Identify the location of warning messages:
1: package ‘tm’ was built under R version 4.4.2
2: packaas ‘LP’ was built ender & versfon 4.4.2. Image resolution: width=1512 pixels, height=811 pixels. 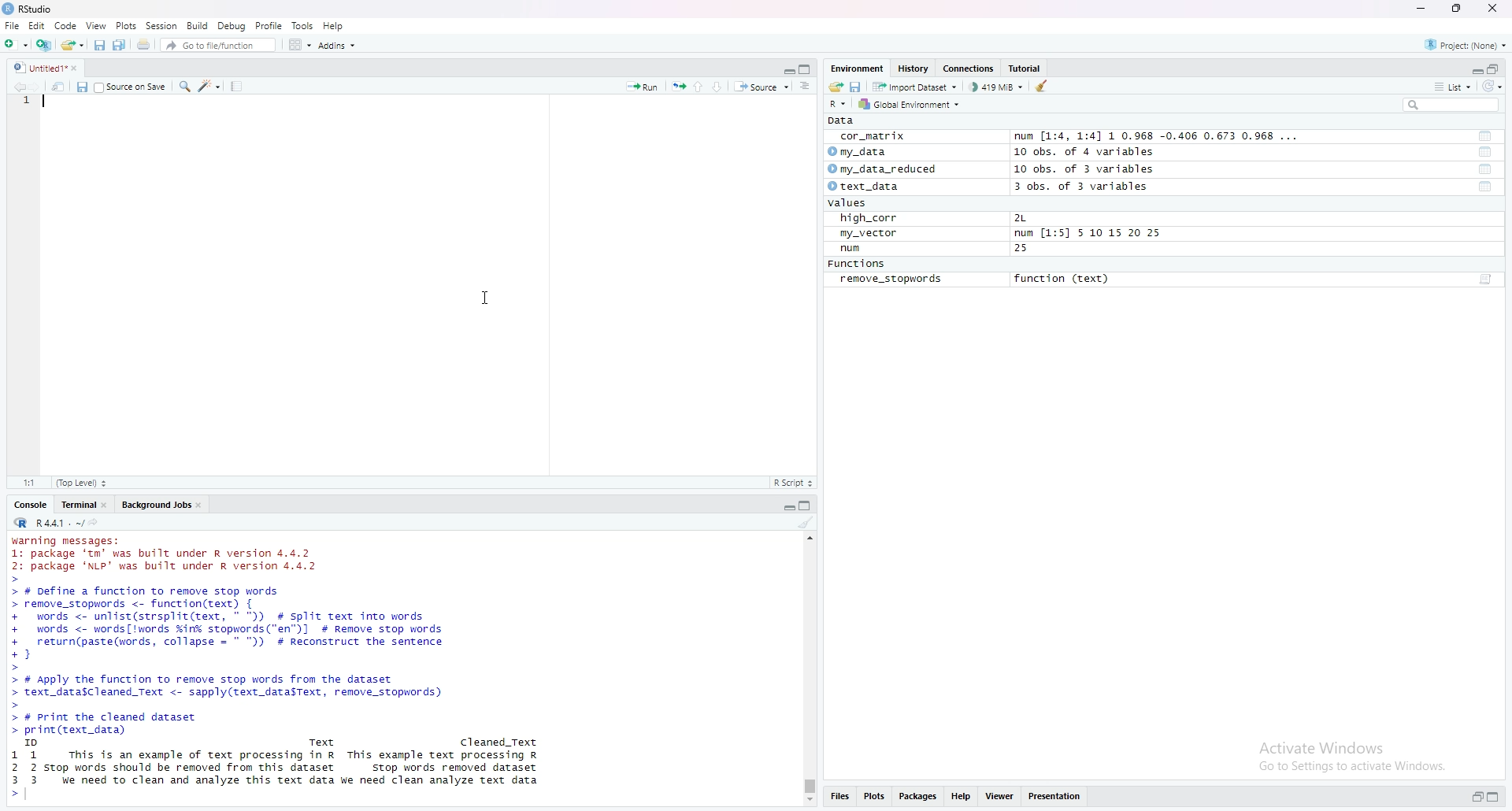
(170, 551).